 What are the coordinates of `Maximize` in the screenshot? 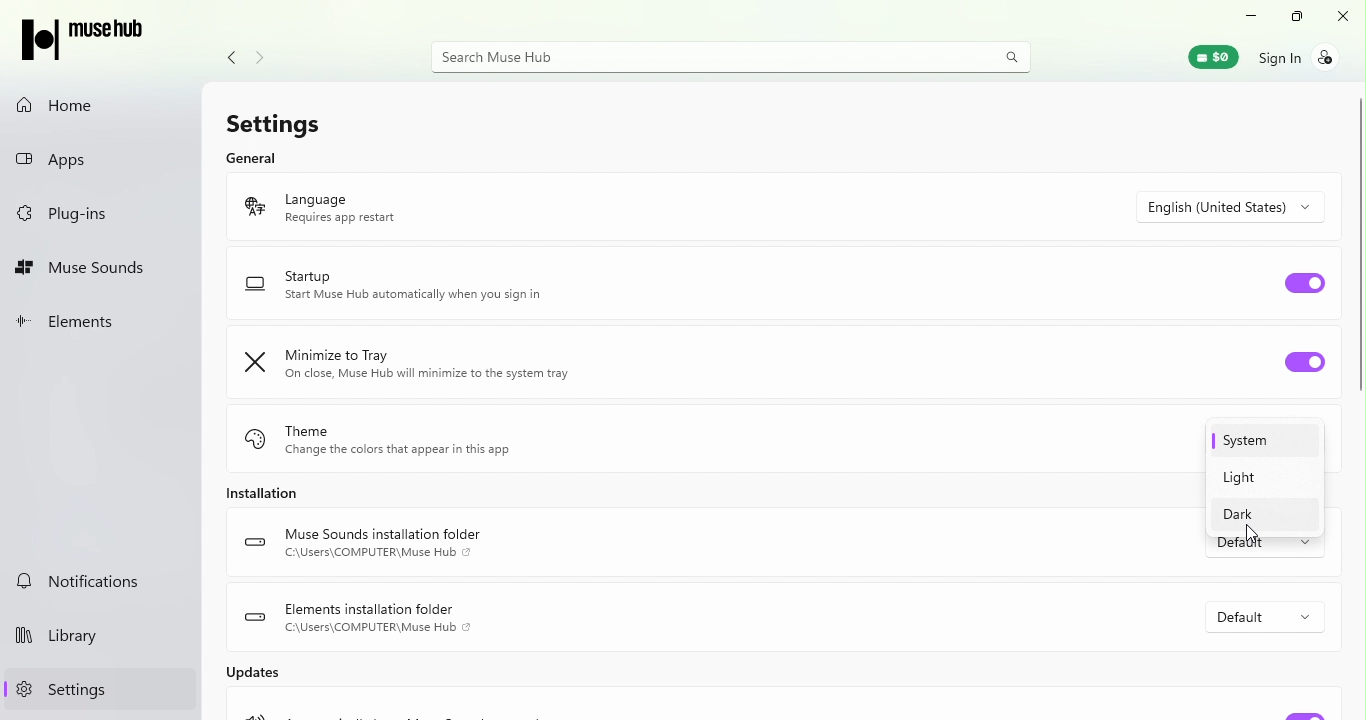 It's located at (1297, 19).